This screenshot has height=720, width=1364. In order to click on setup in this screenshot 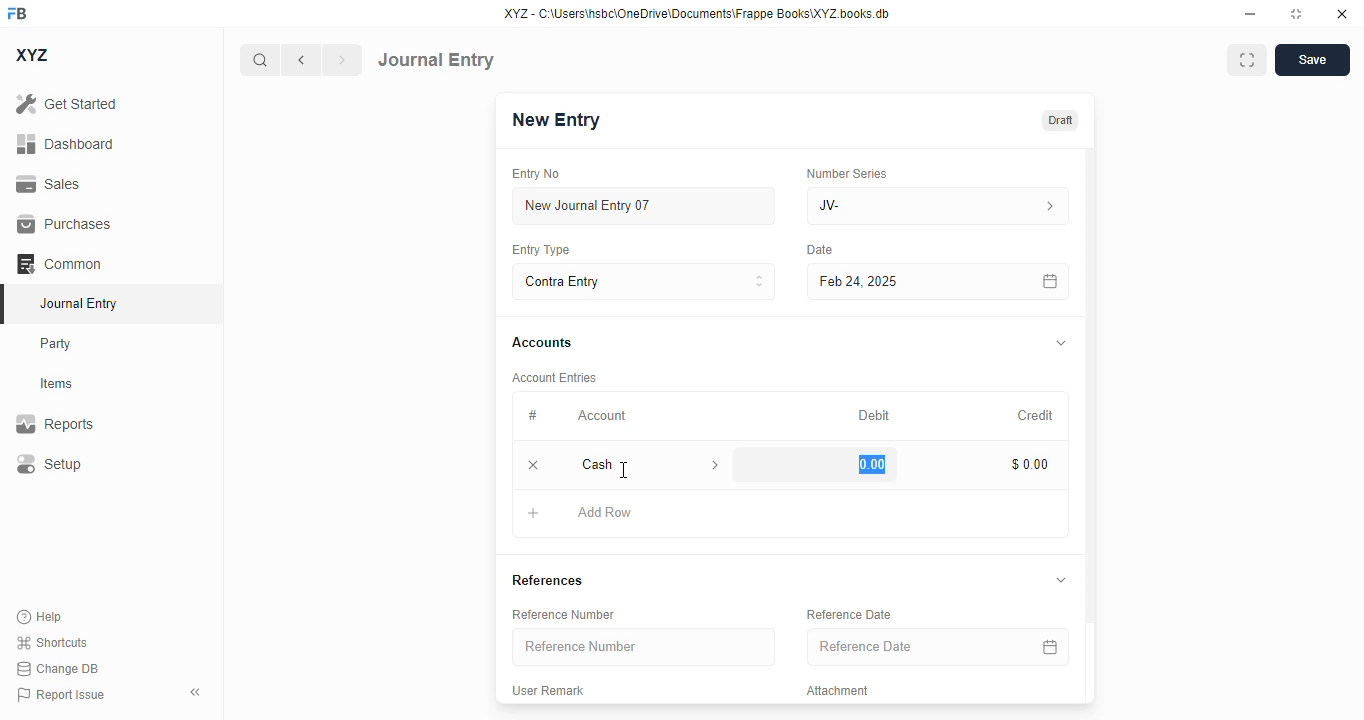, I will do `click(49, 463)`.